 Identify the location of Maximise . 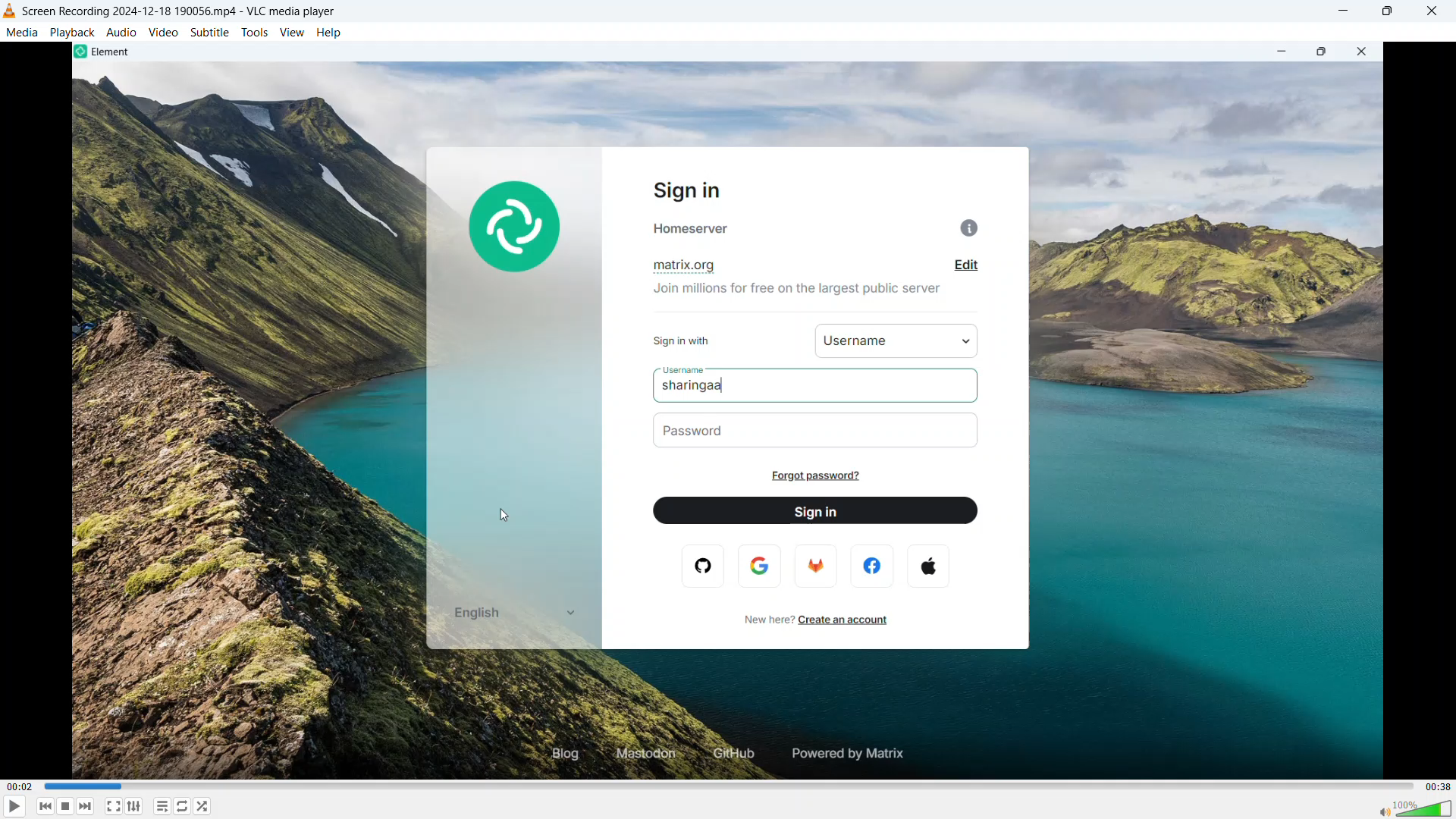
(1387, 11).